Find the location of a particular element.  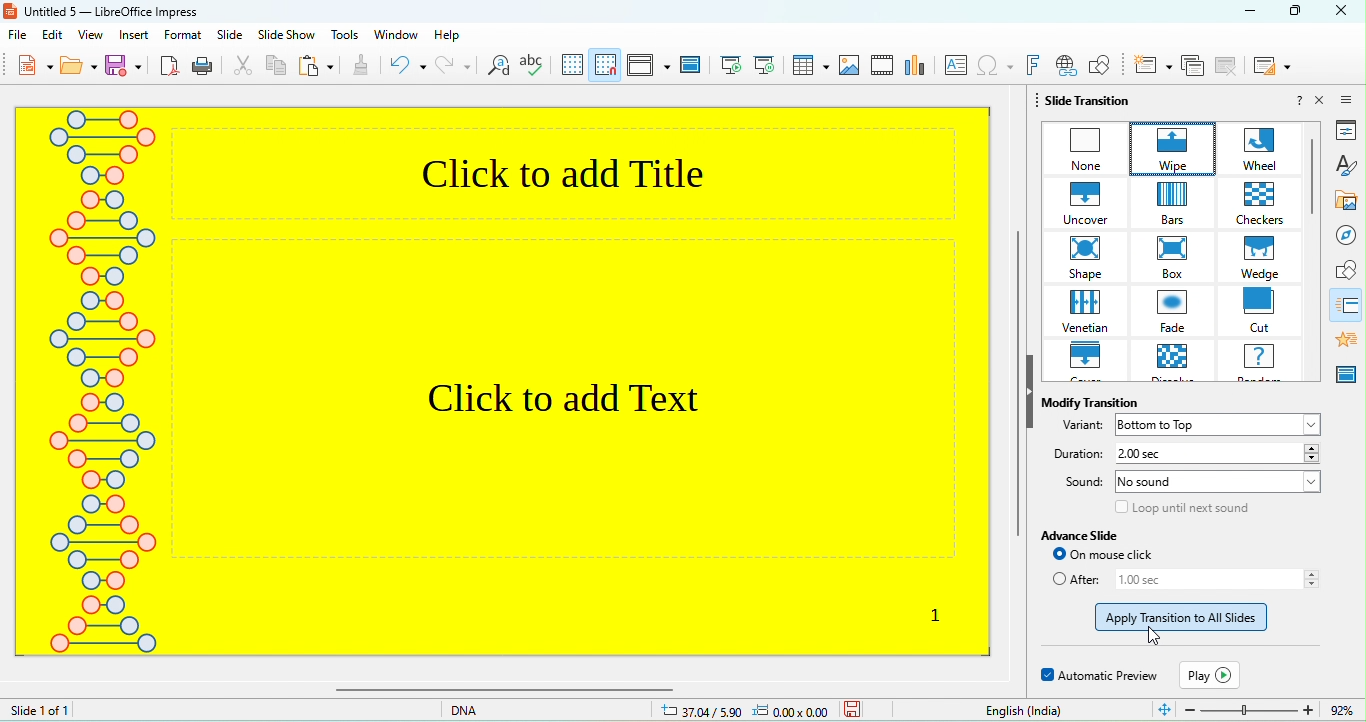

close is located at coordinates (1324, 102).